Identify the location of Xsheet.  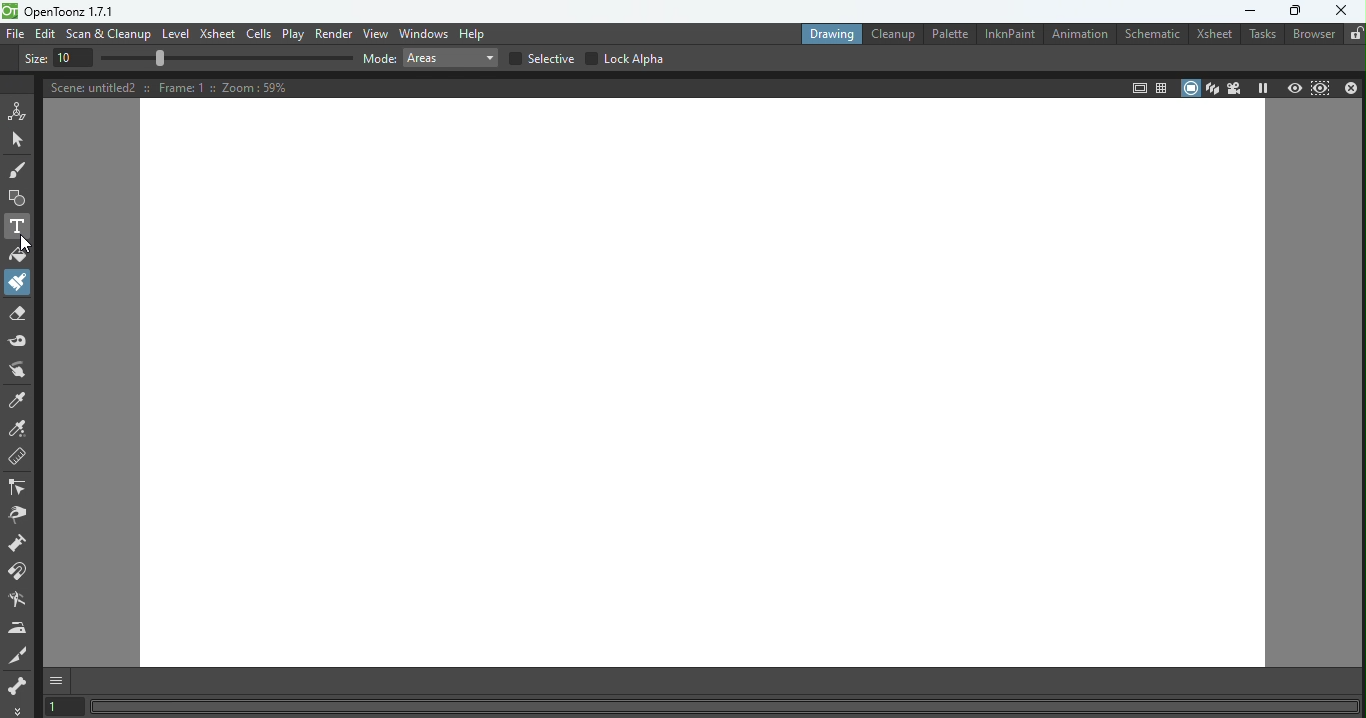
(219, 34).